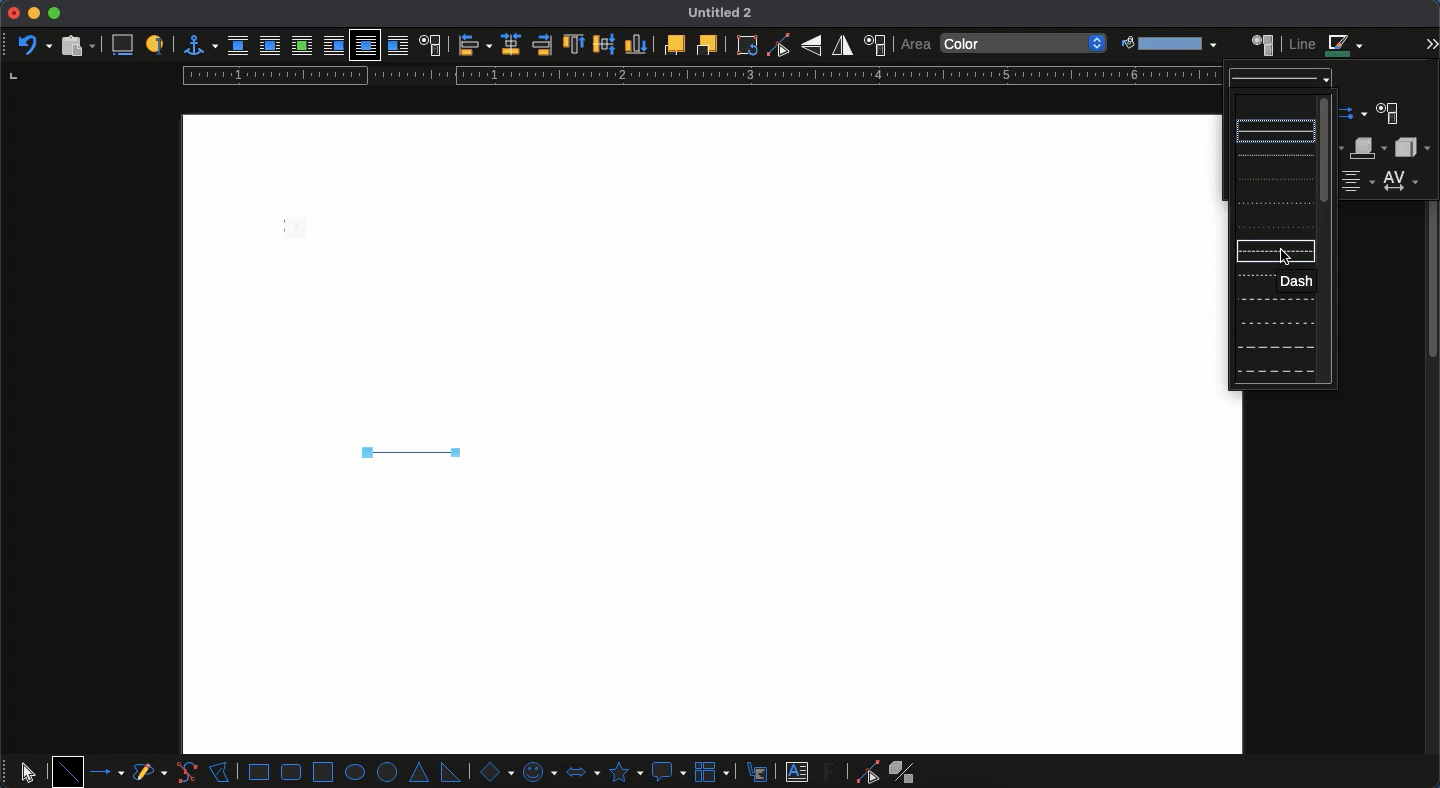 The image size is (1440, 788). What do you see at coordinates (697, 76) in the screenshot?
I see `ruler` at bounding box center [697, 76].